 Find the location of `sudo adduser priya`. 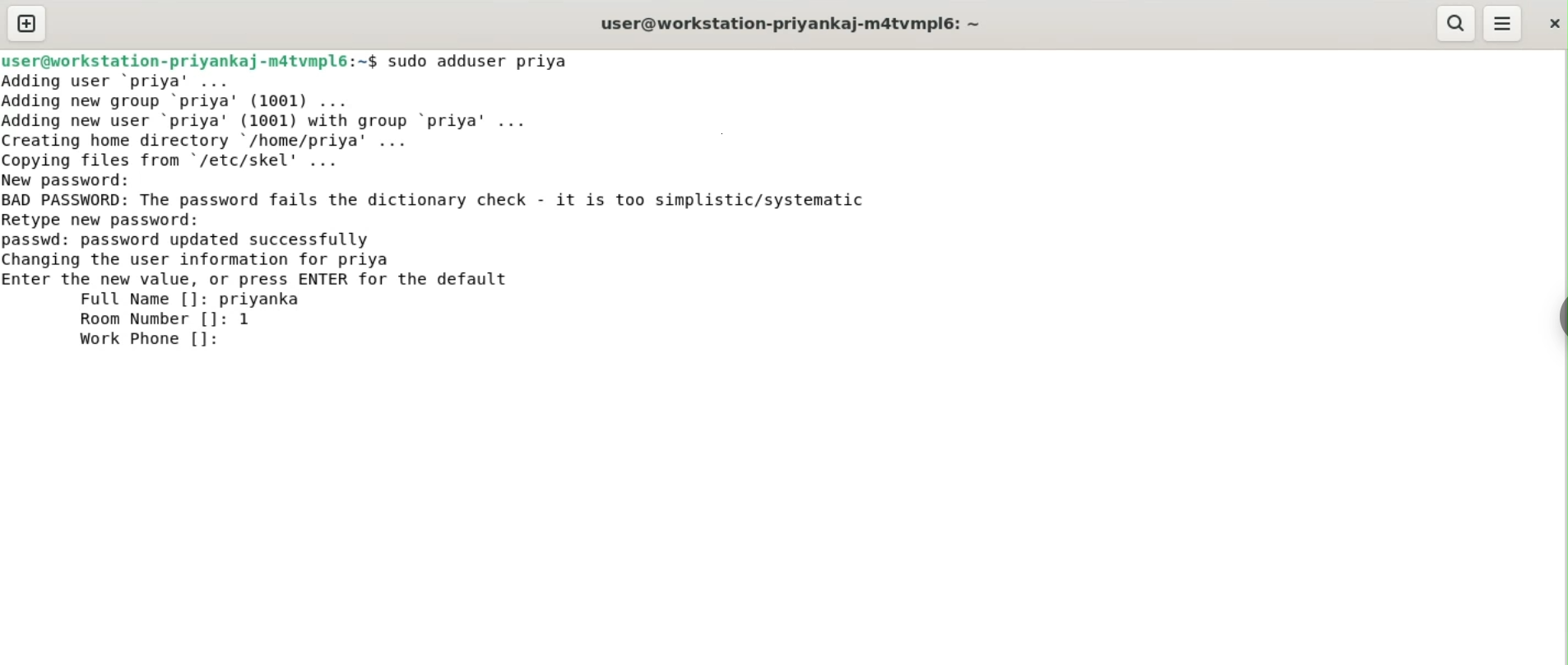

sudo adduser priya is located at coordinates (480, 61).